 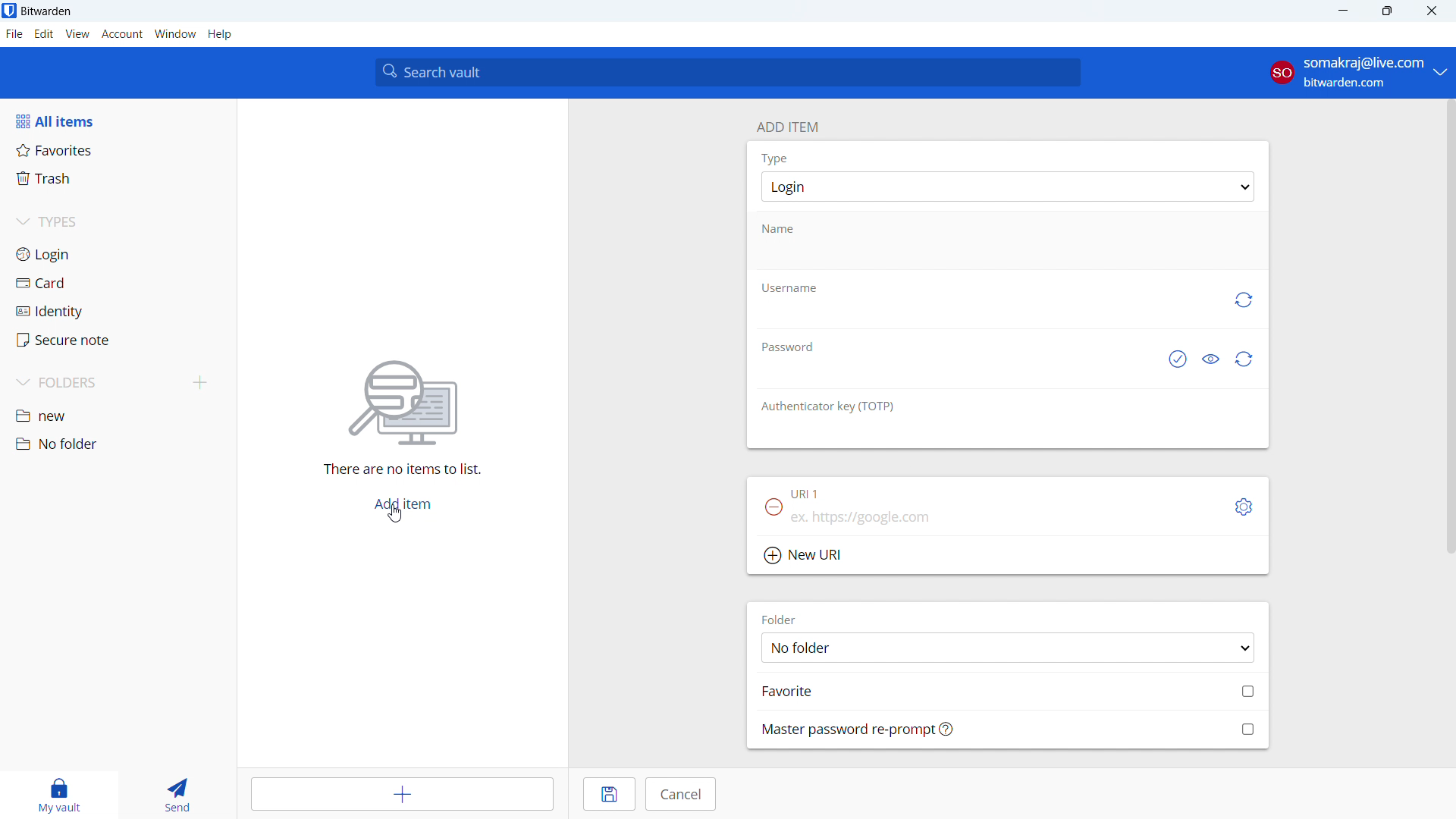 I want to click on generate username, so click(x=1242, y=300).